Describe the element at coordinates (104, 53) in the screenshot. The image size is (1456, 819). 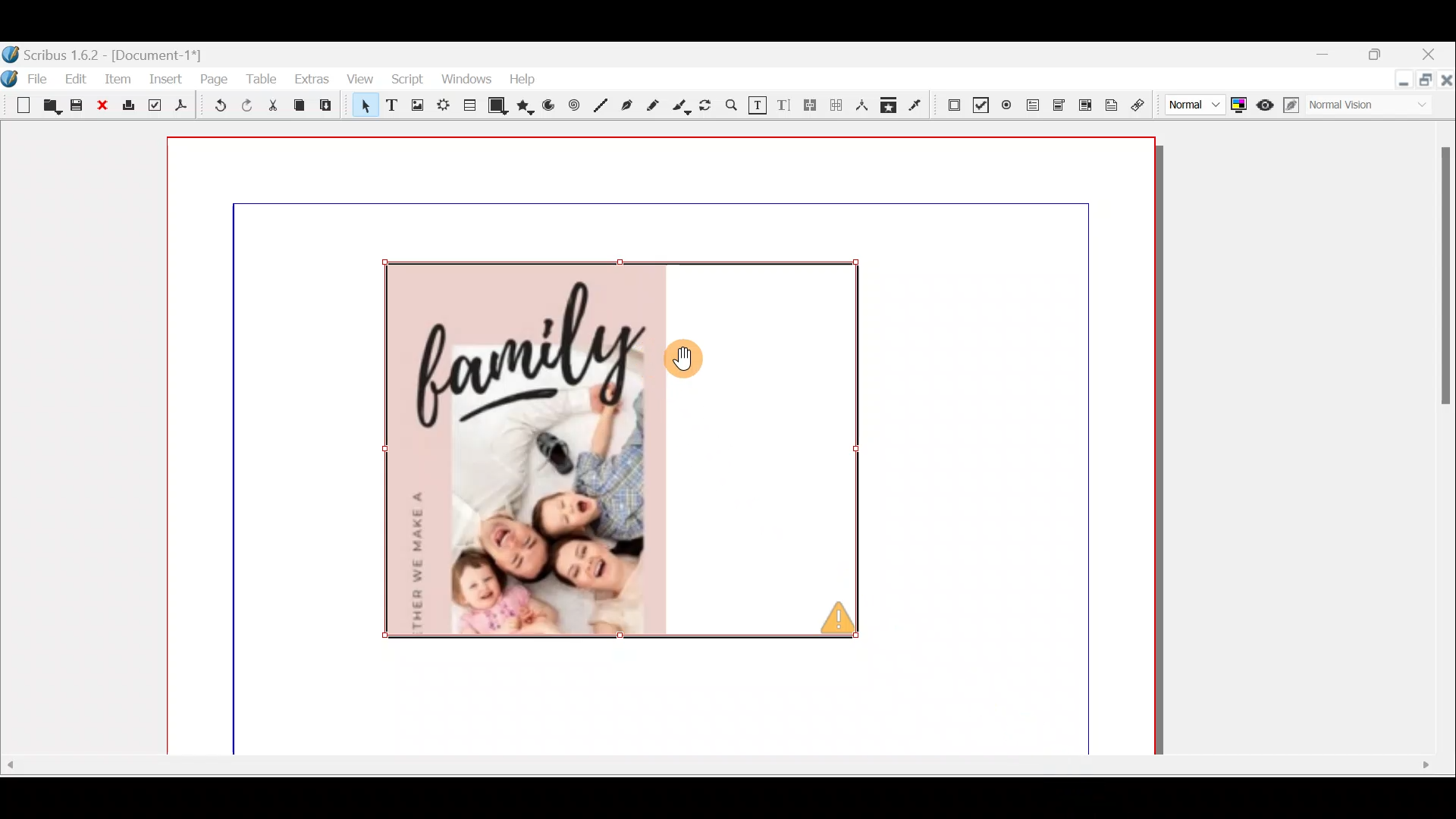
I see `Document name` at that location.